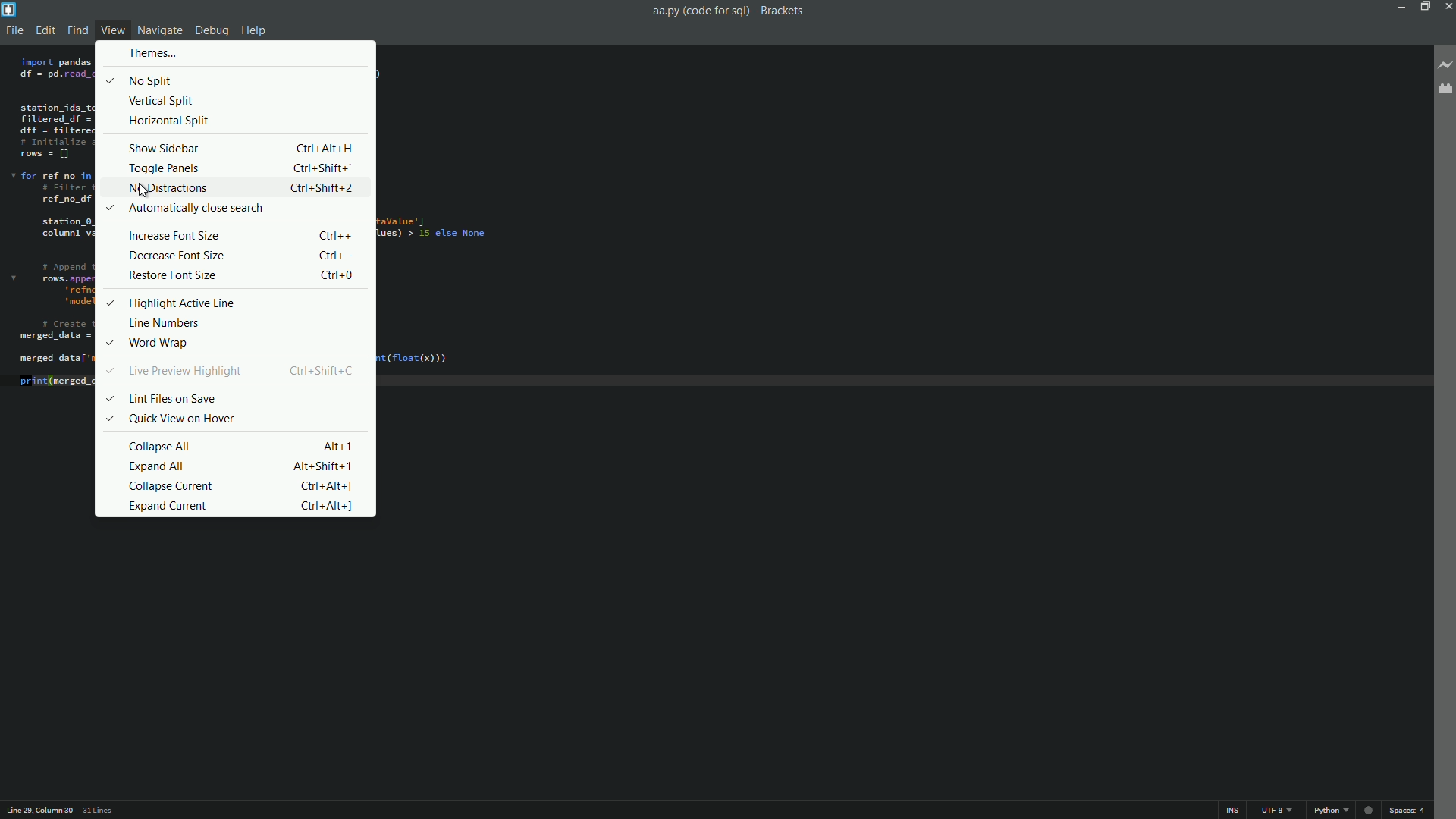 This screenshot has height=819, width=1456. What do you see at coordinates (240, 324) in the screenshot?
I see `line numbers ` at bounding box center [240, 324].